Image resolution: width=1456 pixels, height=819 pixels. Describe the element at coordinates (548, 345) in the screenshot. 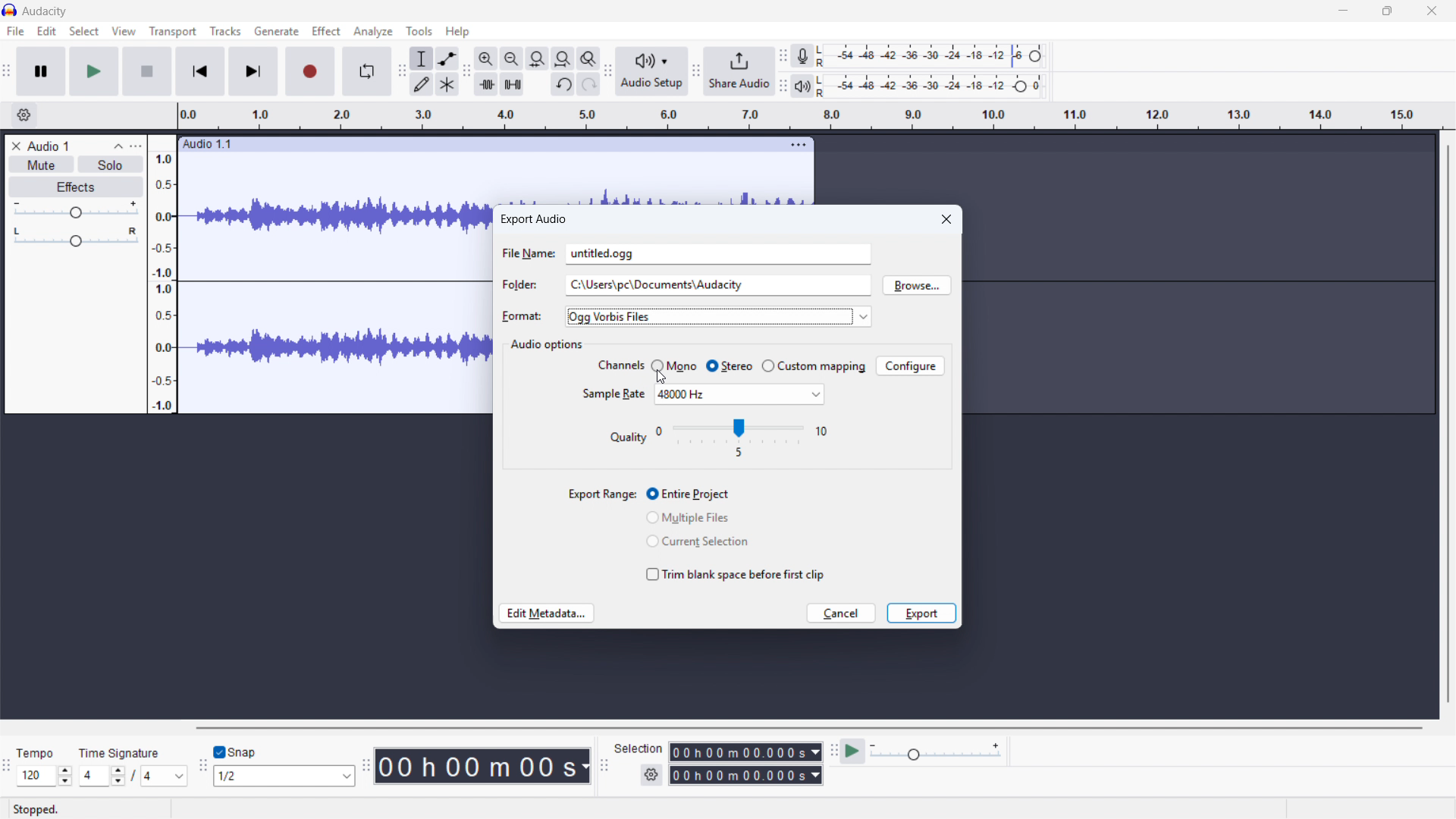

I see `Audio options ` at that location.